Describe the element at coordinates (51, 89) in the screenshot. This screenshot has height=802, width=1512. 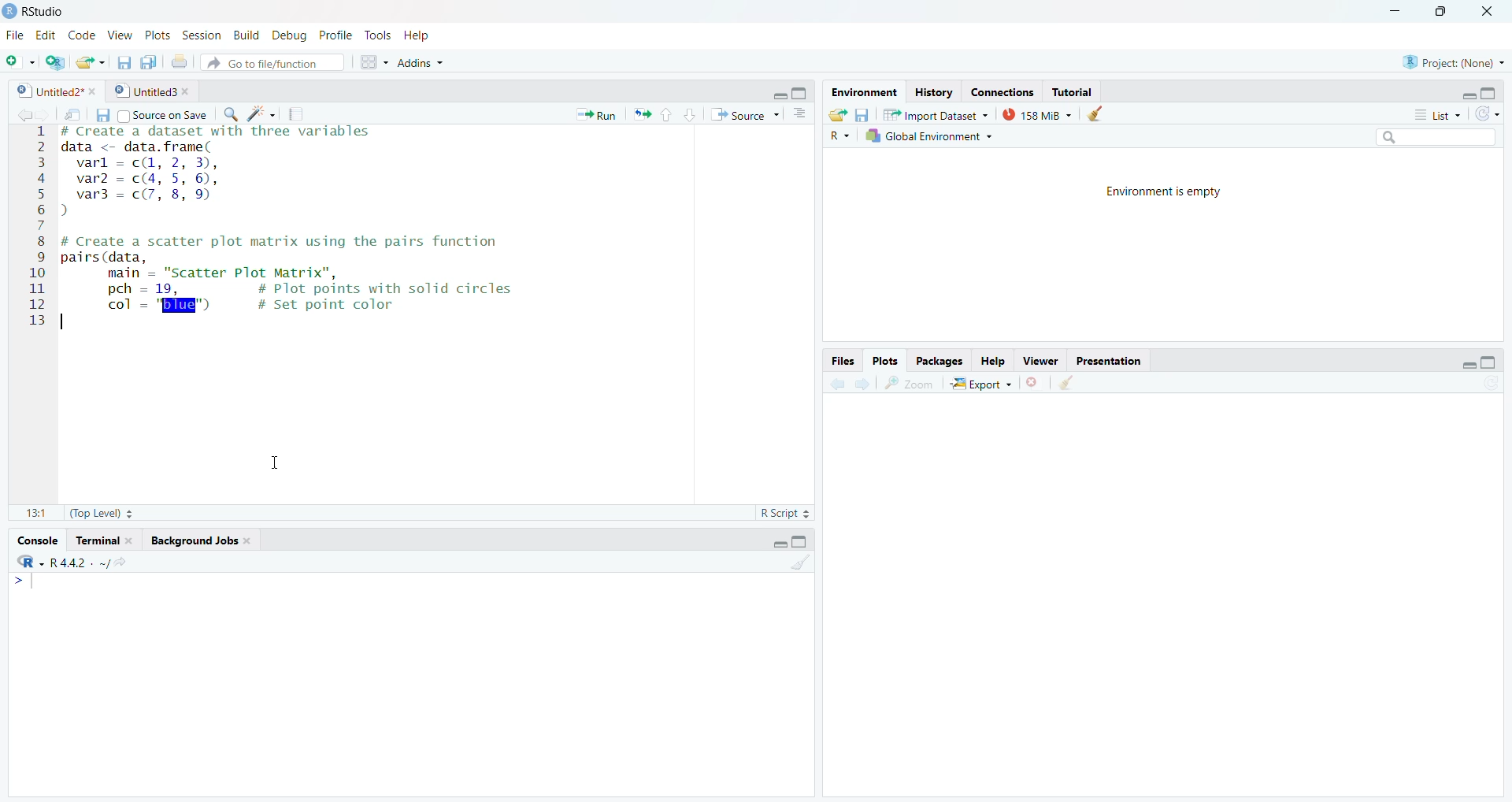
I see `© | Untitled2* *` at that location.